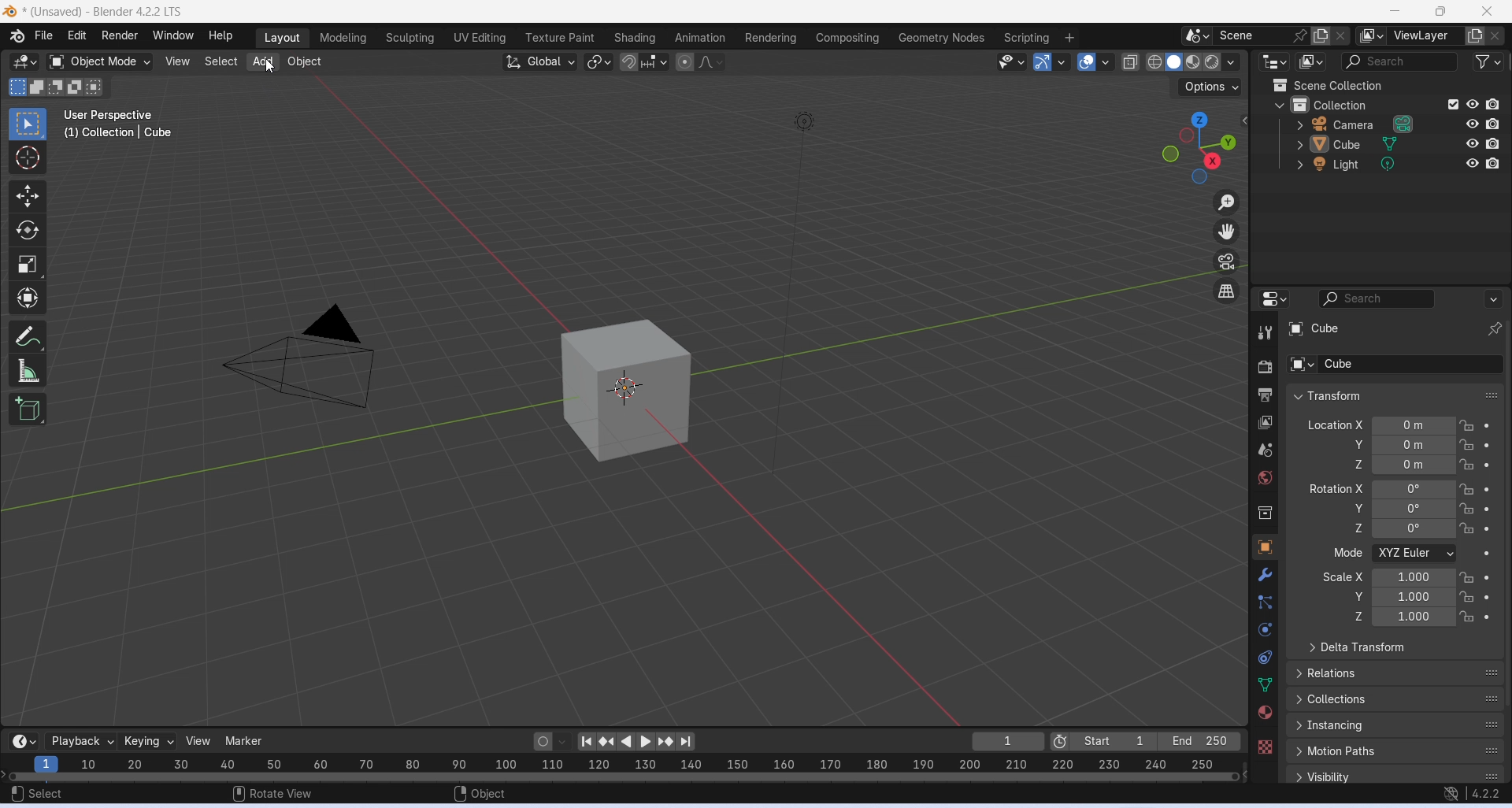 Image resolution: width=1512 pixels, height=808 pixels. What do you see at coordinates (1468, 528) in the screenshot?
I see `lock location` at bounding box center [1468, 528].